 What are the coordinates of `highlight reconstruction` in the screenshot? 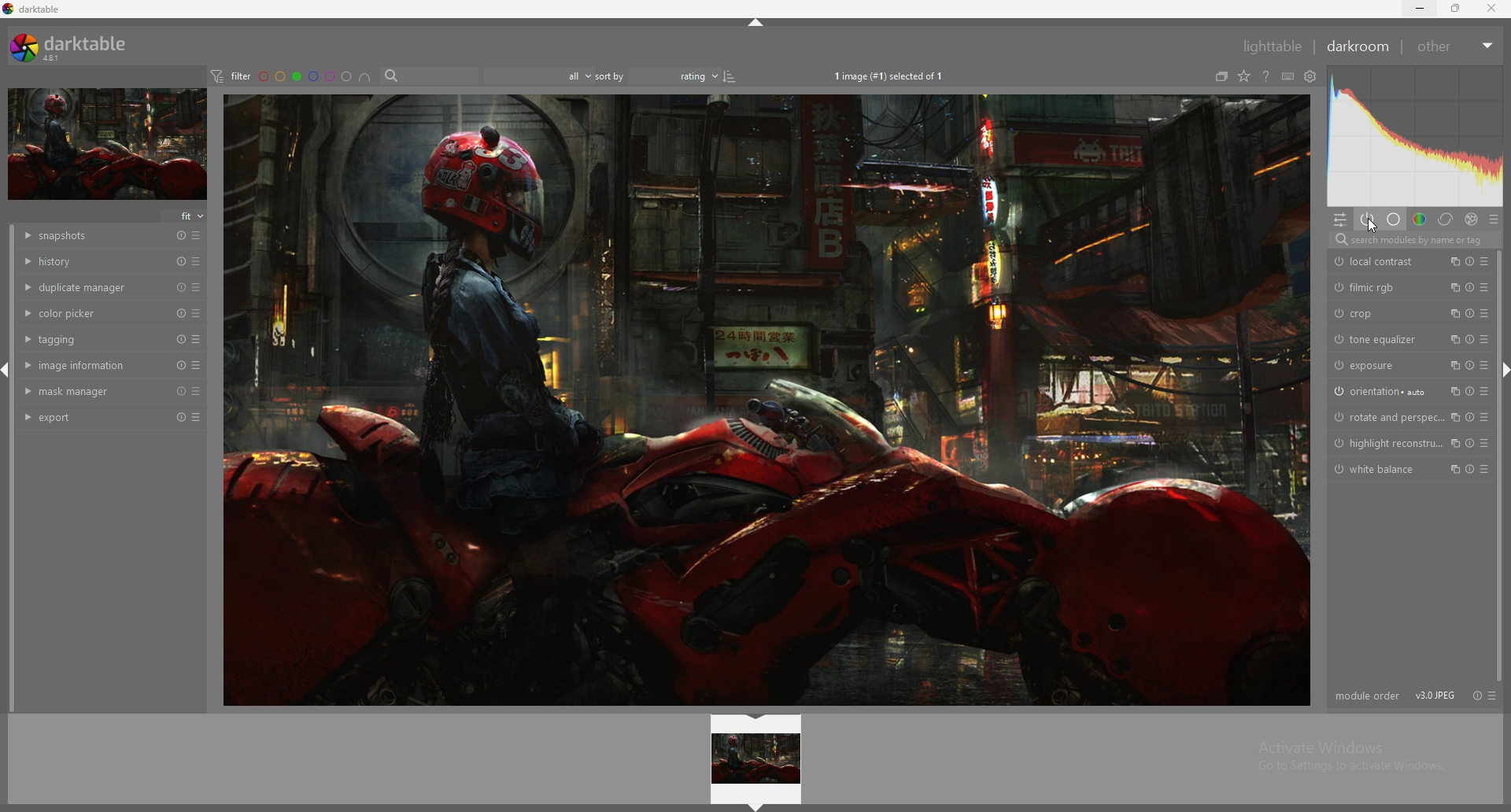 It's located at (1388, 443).